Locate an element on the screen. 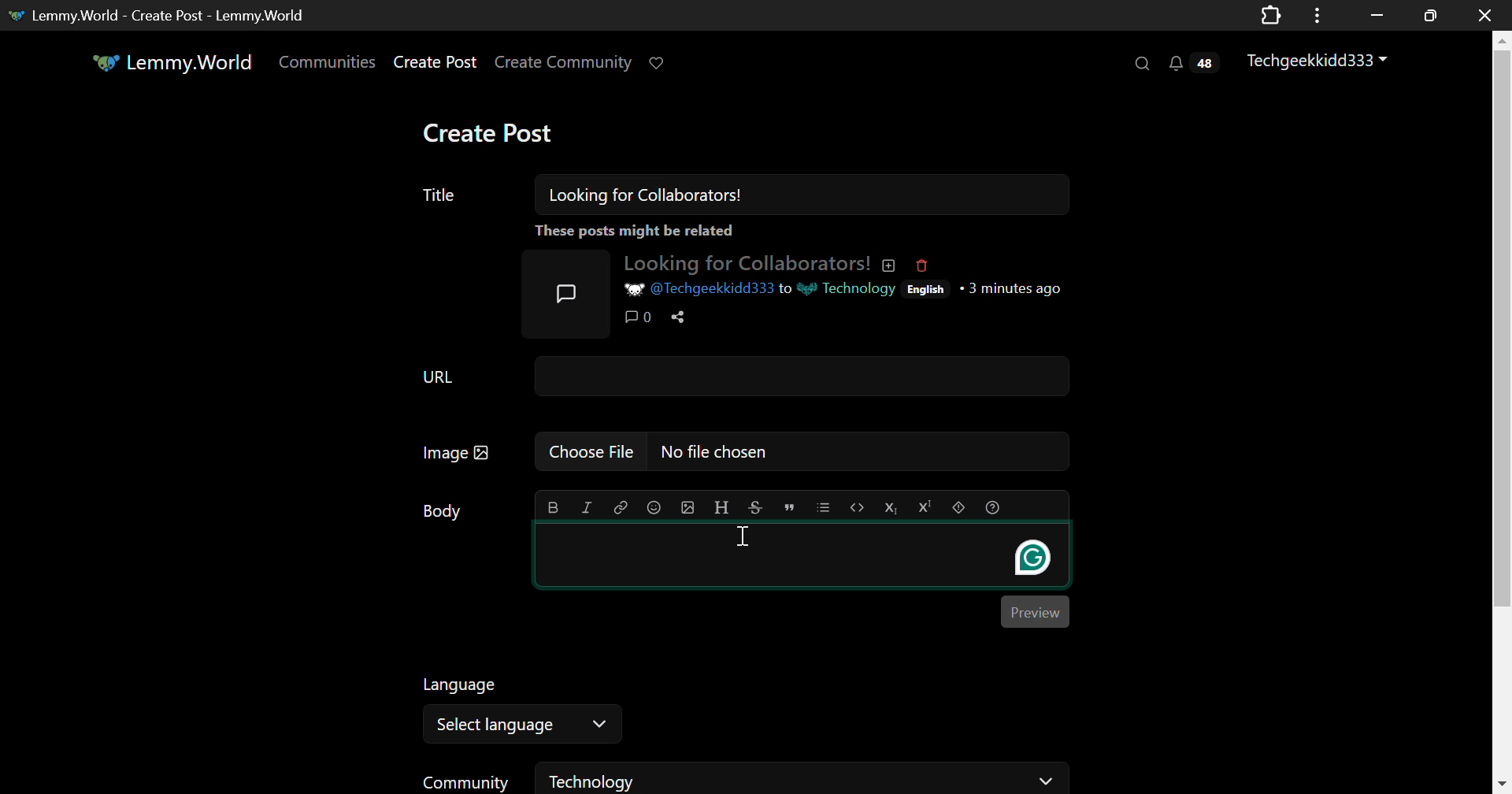  Create Community is located at coordinates (566, 63).